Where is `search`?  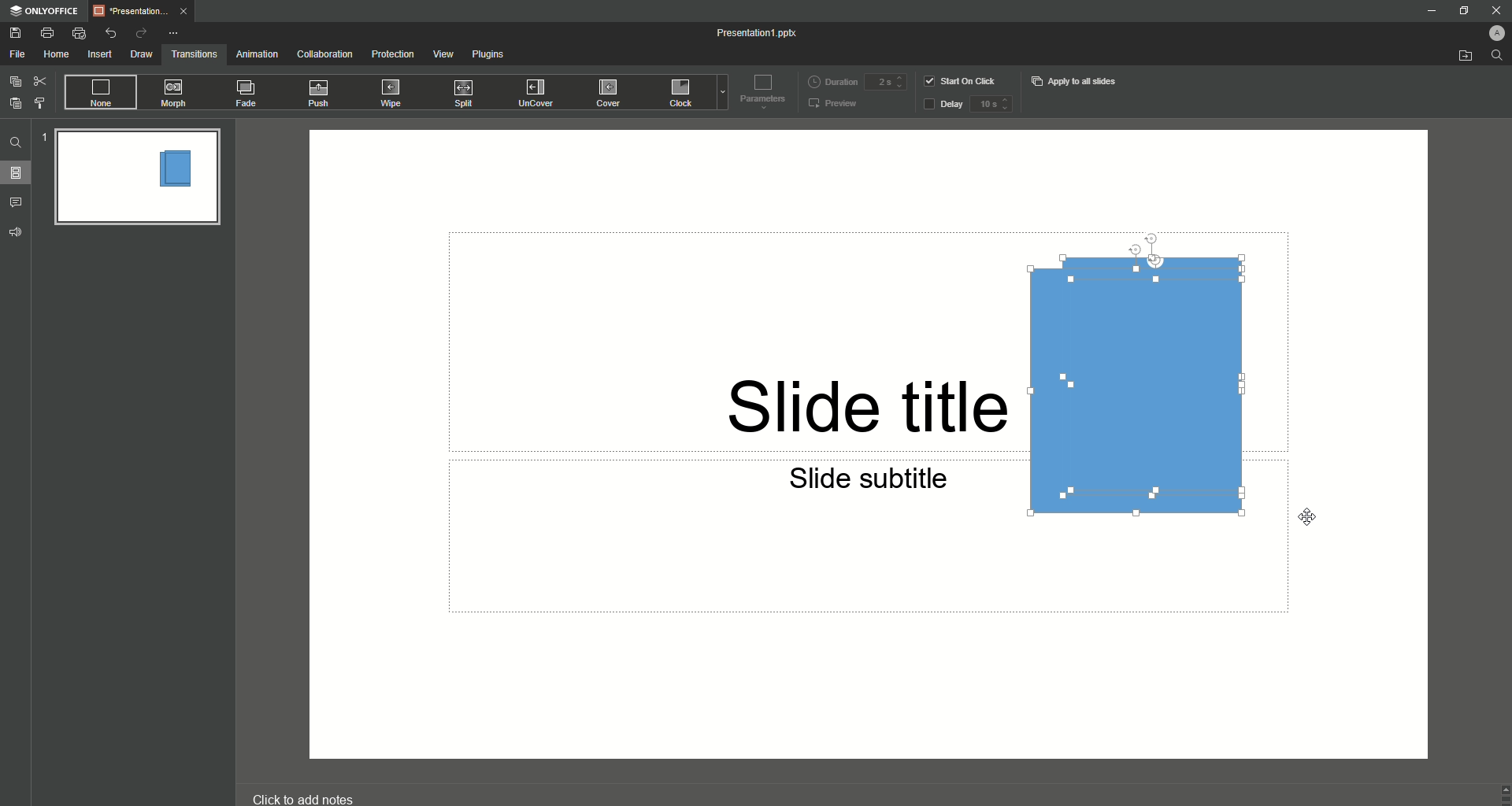
search is located at coordinates (1498, 59).